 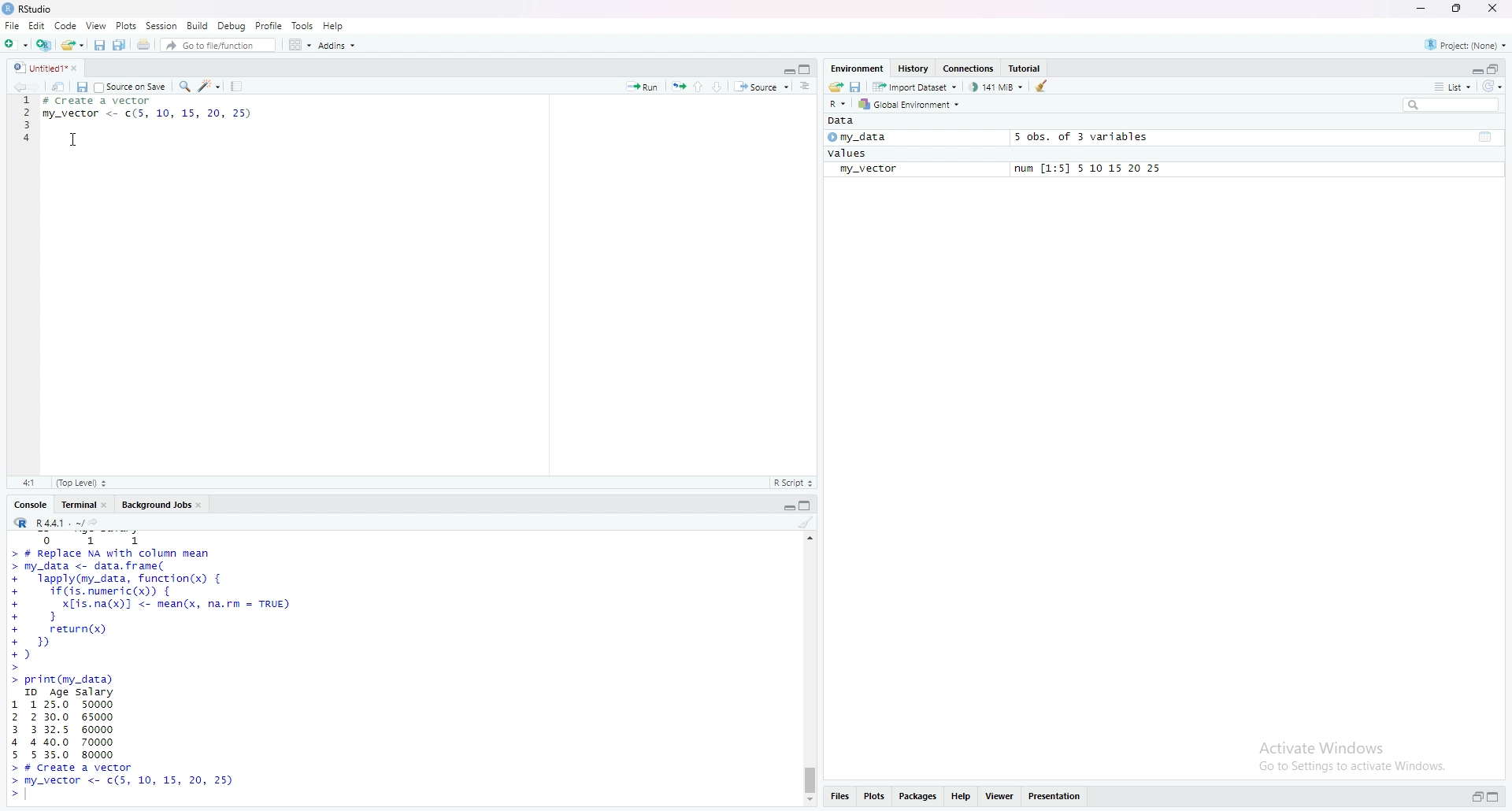 I want to click on build, so click(x=198, y=25).